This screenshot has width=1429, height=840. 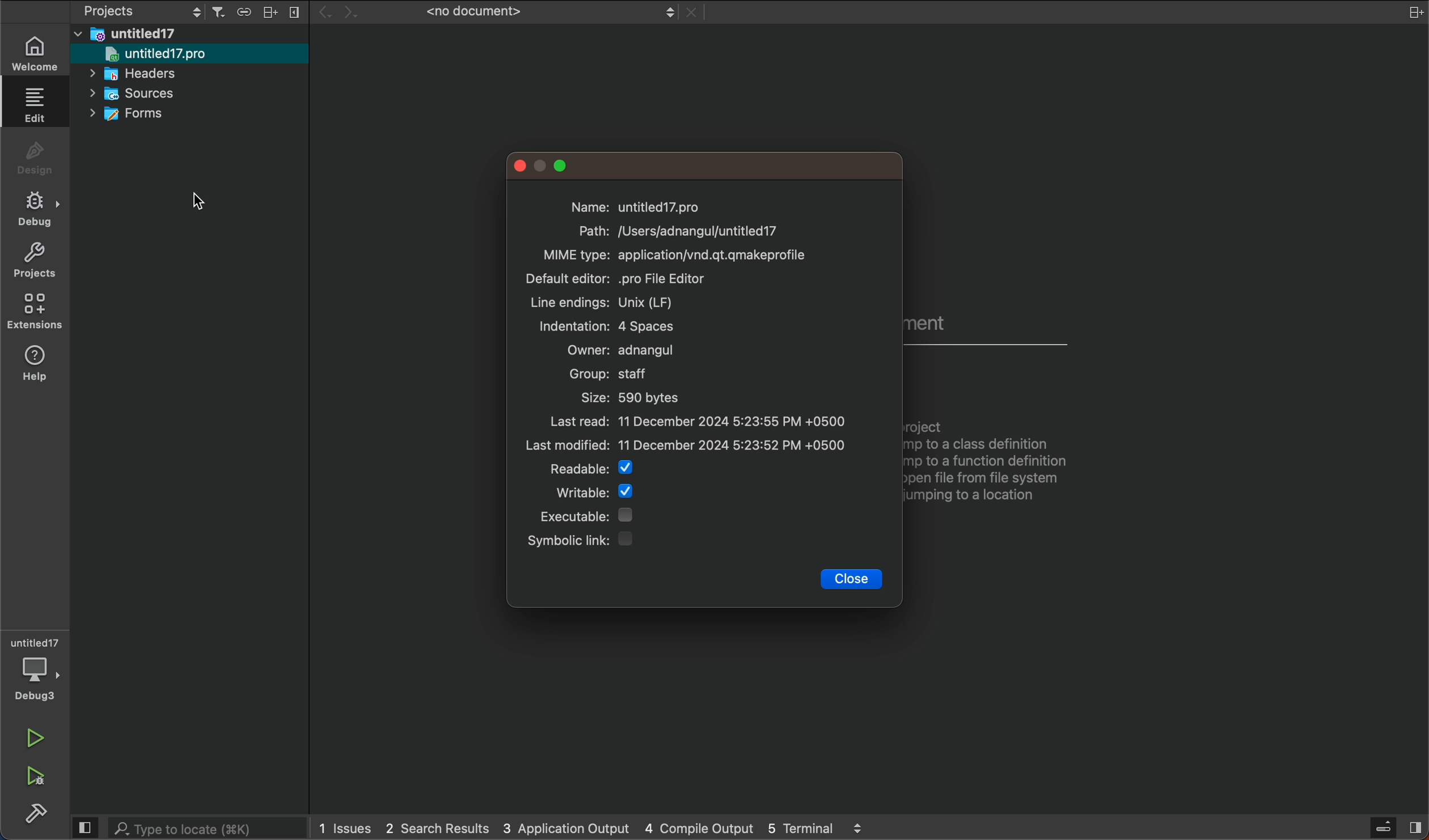 What do you see at coordinates (855, 582) in the screenshot?
I see `close` at bounding box center [855, 582].